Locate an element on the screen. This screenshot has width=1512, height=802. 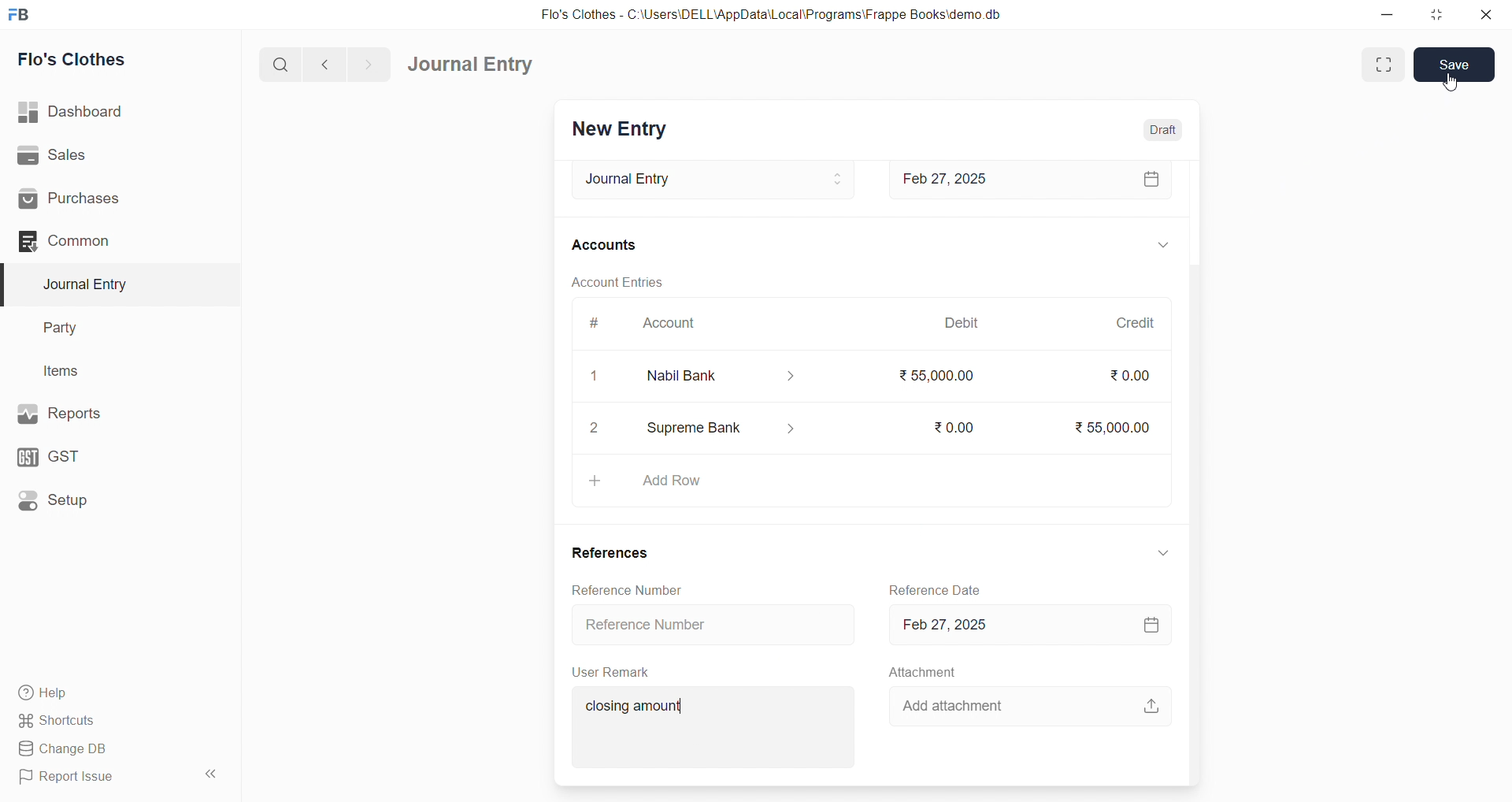
Save is located at coordinates (1455, 65).